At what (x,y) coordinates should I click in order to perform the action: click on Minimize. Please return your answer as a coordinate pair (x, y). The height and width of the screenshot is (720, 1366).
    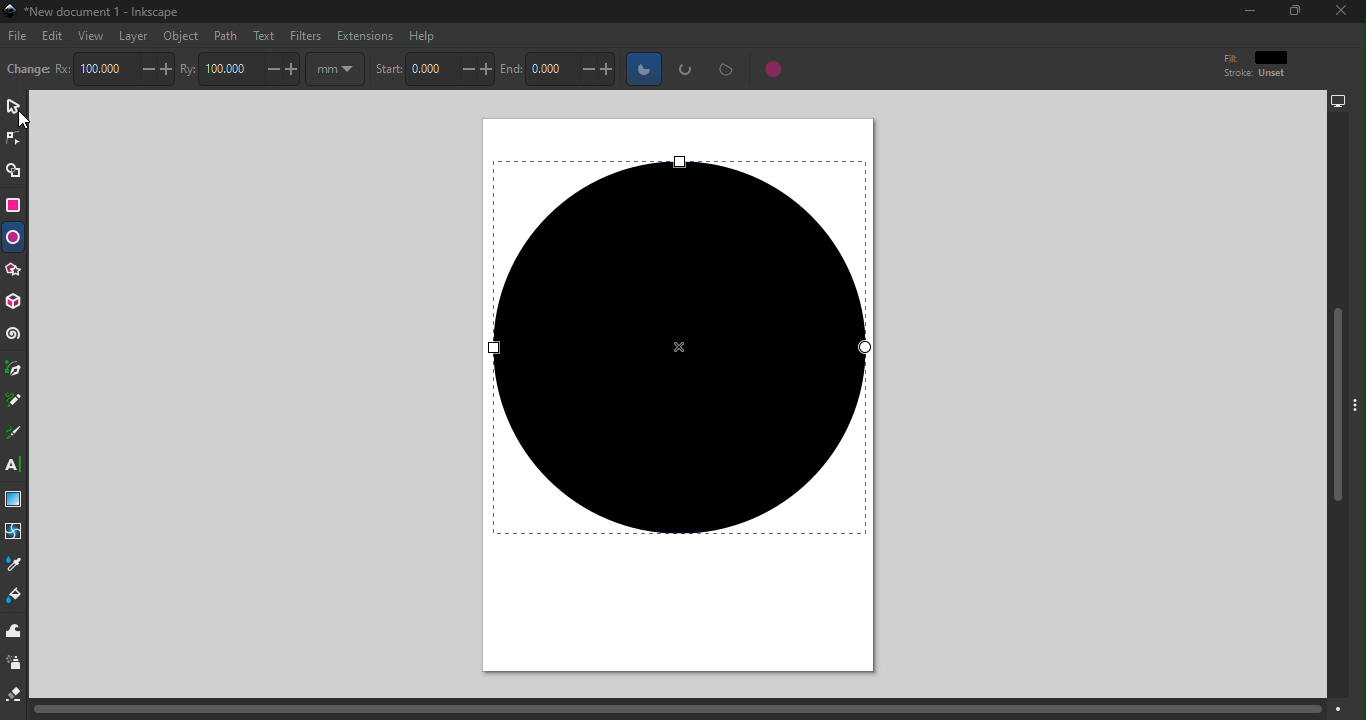
    Looking at the image, I should click on (1243, 12).